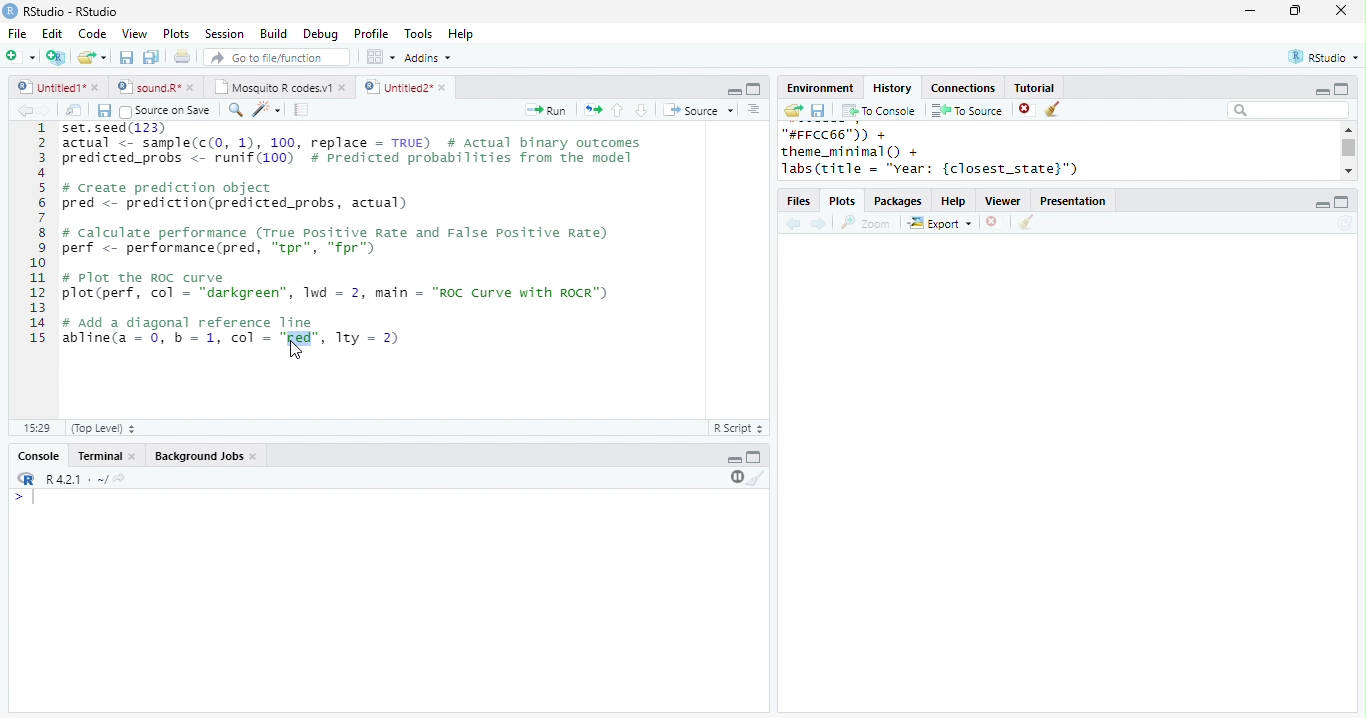 Image resolution: width=1366 pixels, height=718 pixels. I want to click on new file, so click(20, 56).